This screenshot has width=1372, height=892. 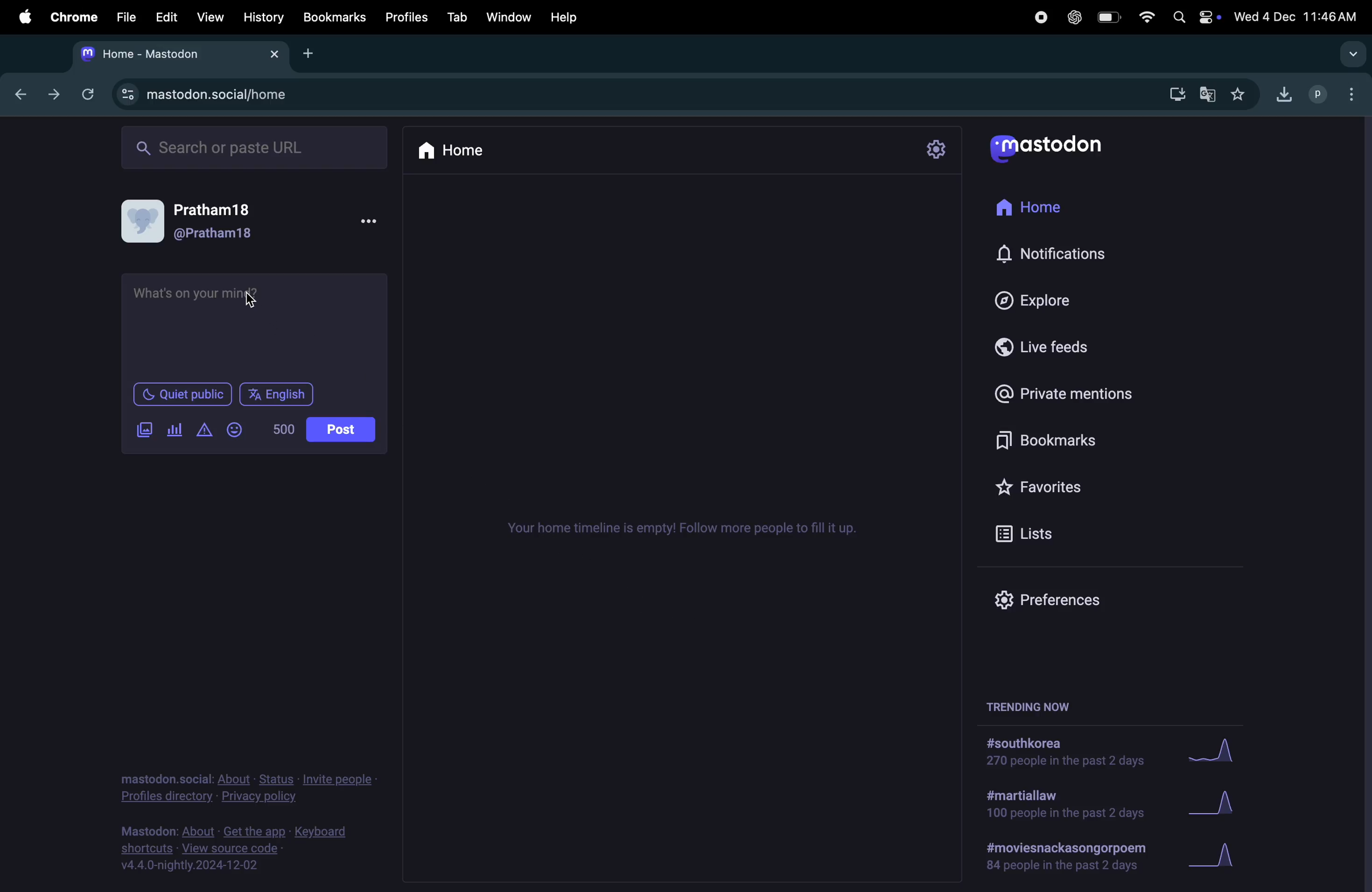 What do you see at coordinates (1058, 436) in the screenshot?
I see `book marks` at bounding box center [1058, 436].